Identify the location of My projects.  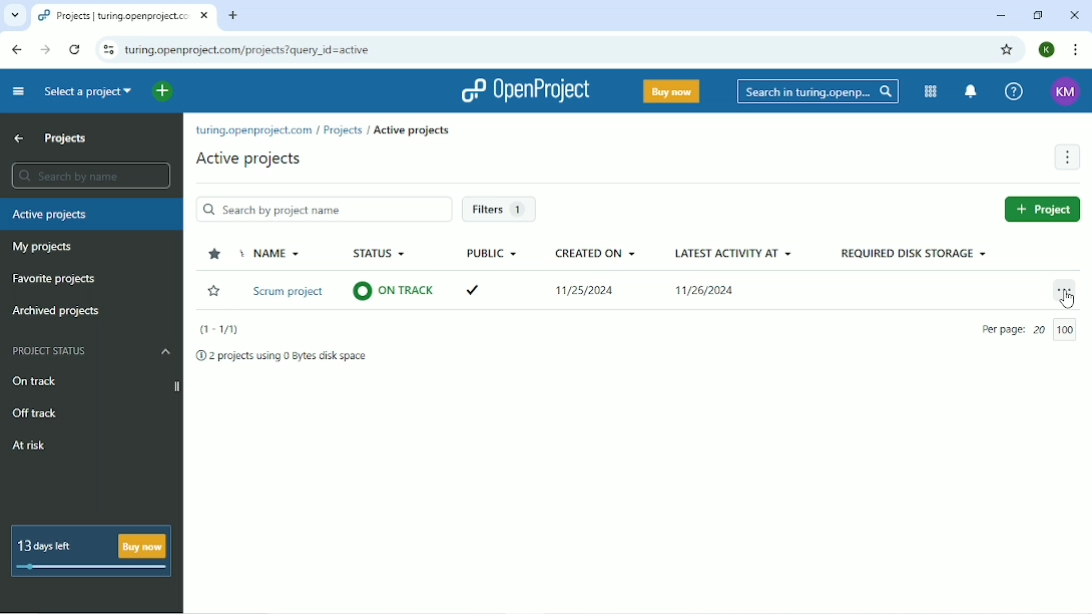
(42, 248).